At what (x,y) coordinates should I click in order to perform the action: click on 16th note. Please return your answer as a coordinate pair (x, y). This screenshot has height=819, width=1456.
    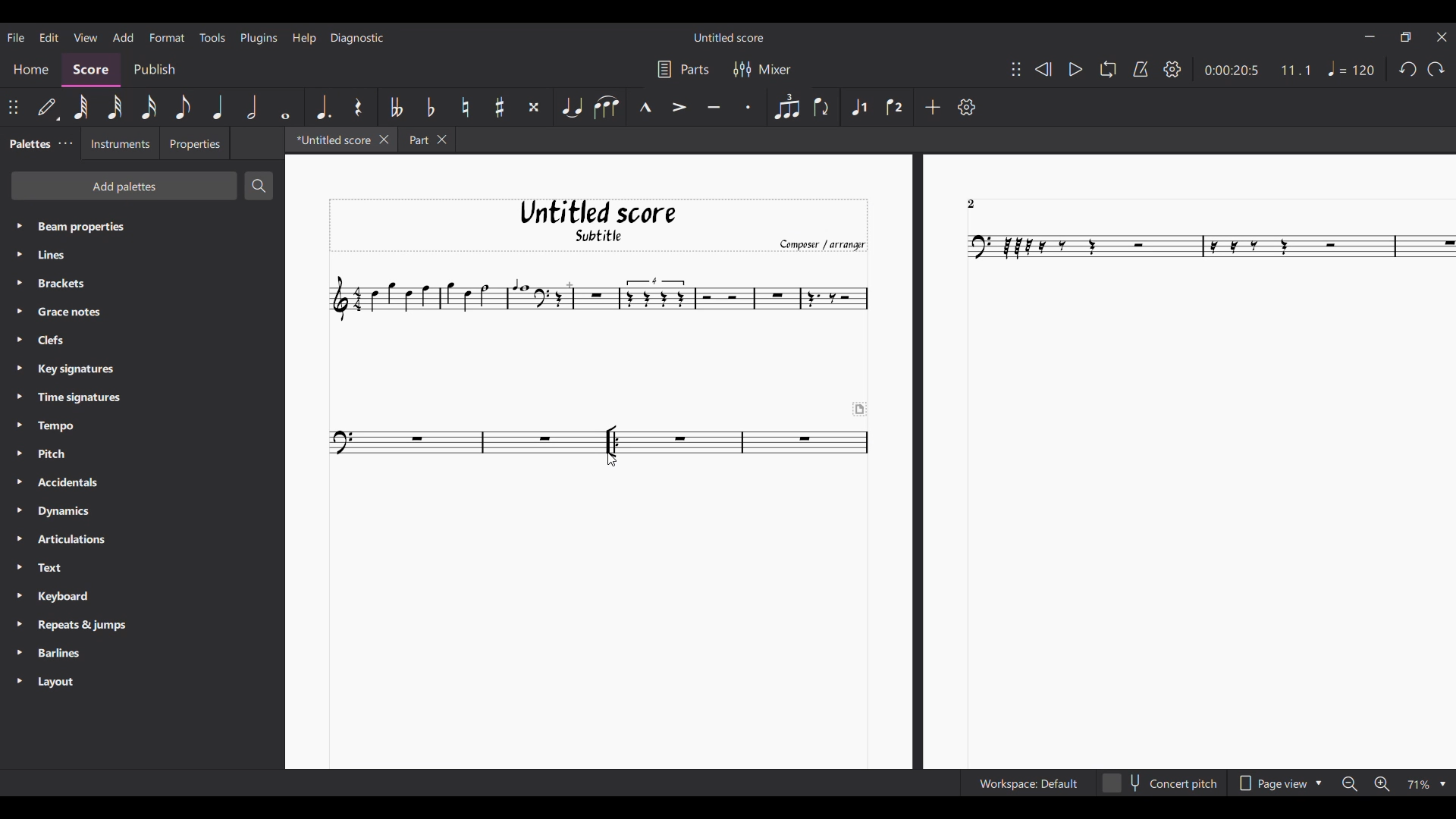
    Looking at the image, I should click on (149, 107).